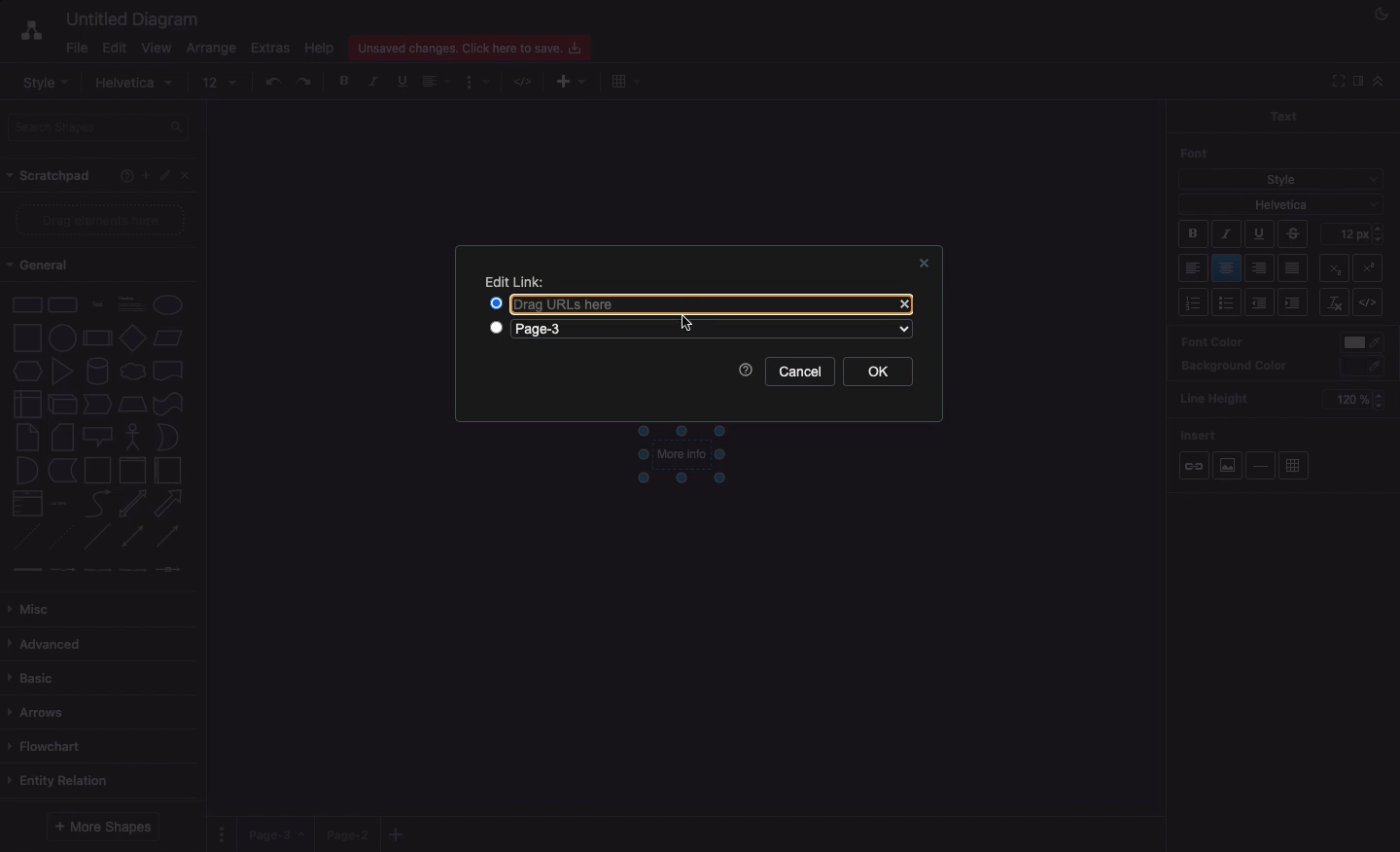 The height and width of the screenshot is (852, 1400). I want to click on circle, so click(62, 337).